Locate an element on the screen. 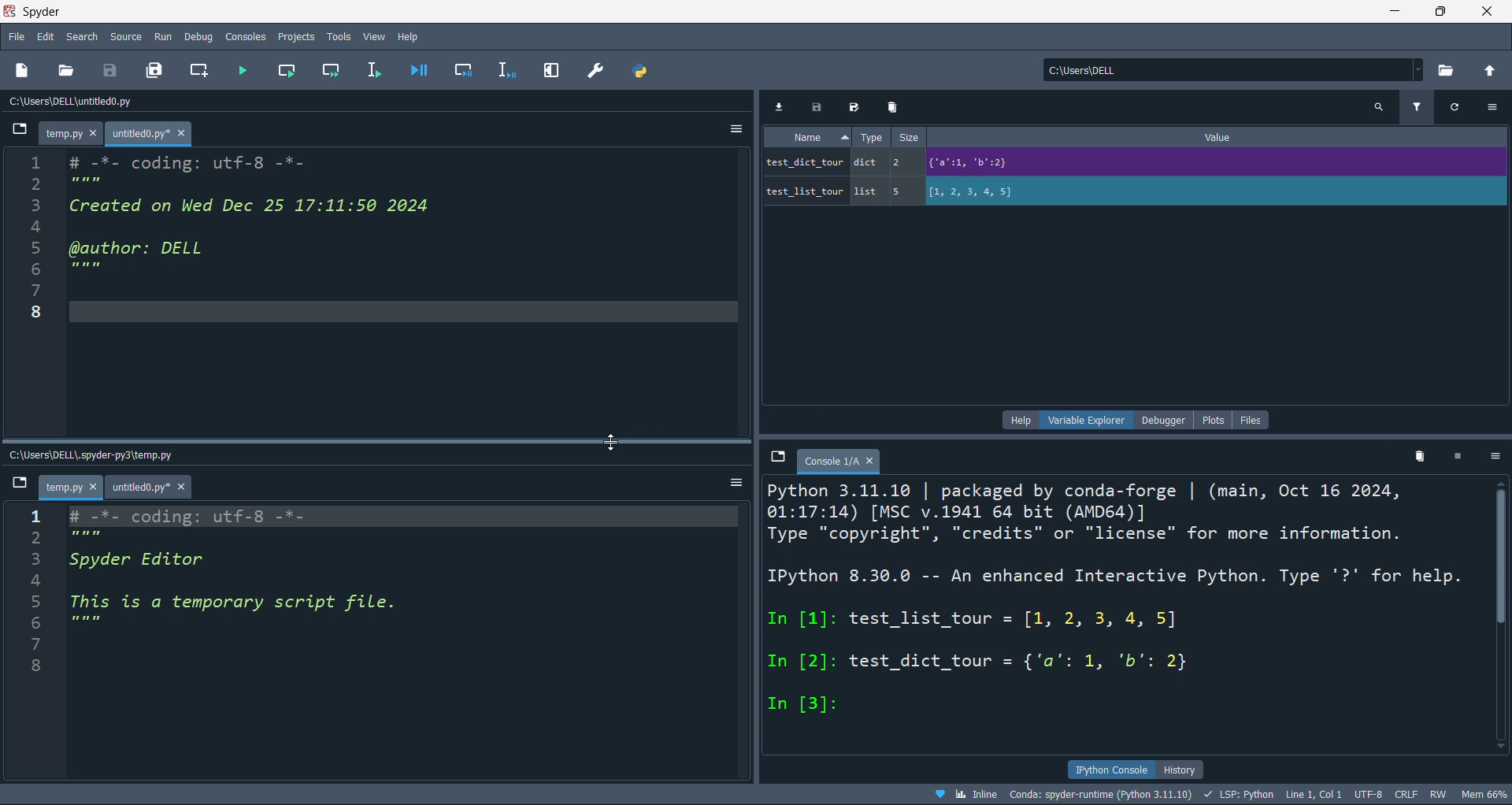  view is located at coordinates (371, 35).